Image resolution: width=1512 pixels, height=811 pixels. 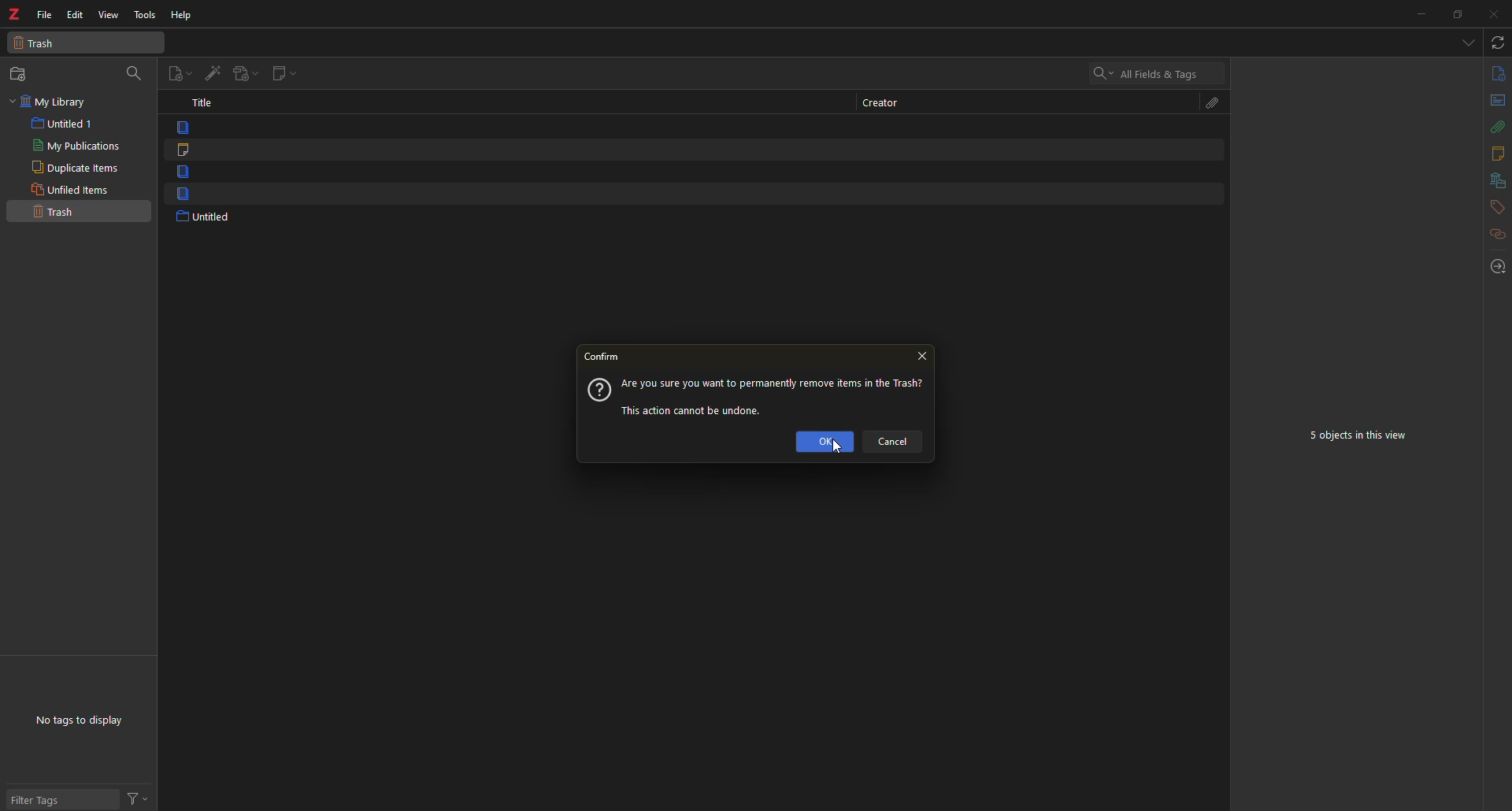 I want to click on no tags, so click(x=83, y=724).